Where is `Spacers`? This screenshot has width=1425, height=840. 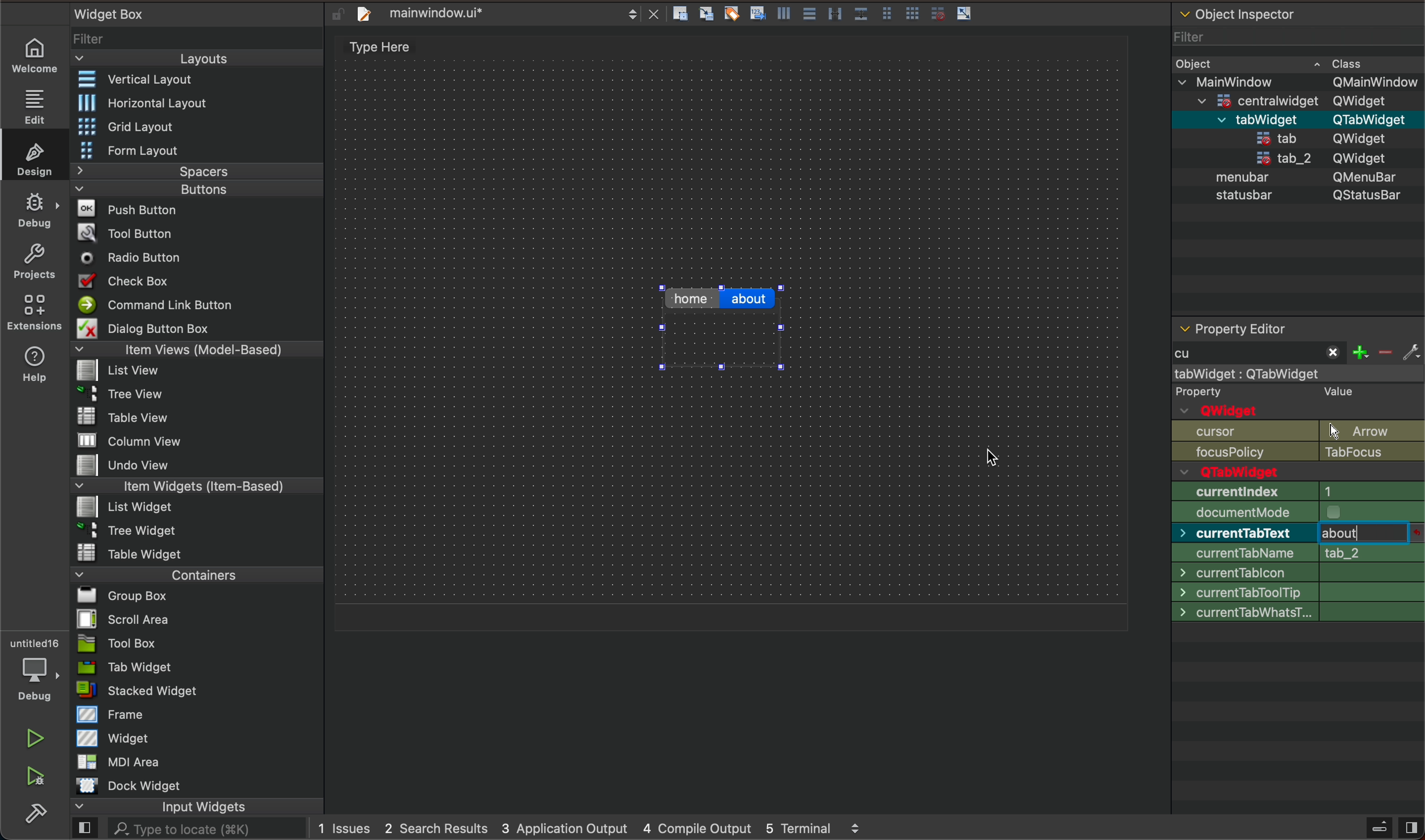
Spacers is located at coordinates (198, 172).